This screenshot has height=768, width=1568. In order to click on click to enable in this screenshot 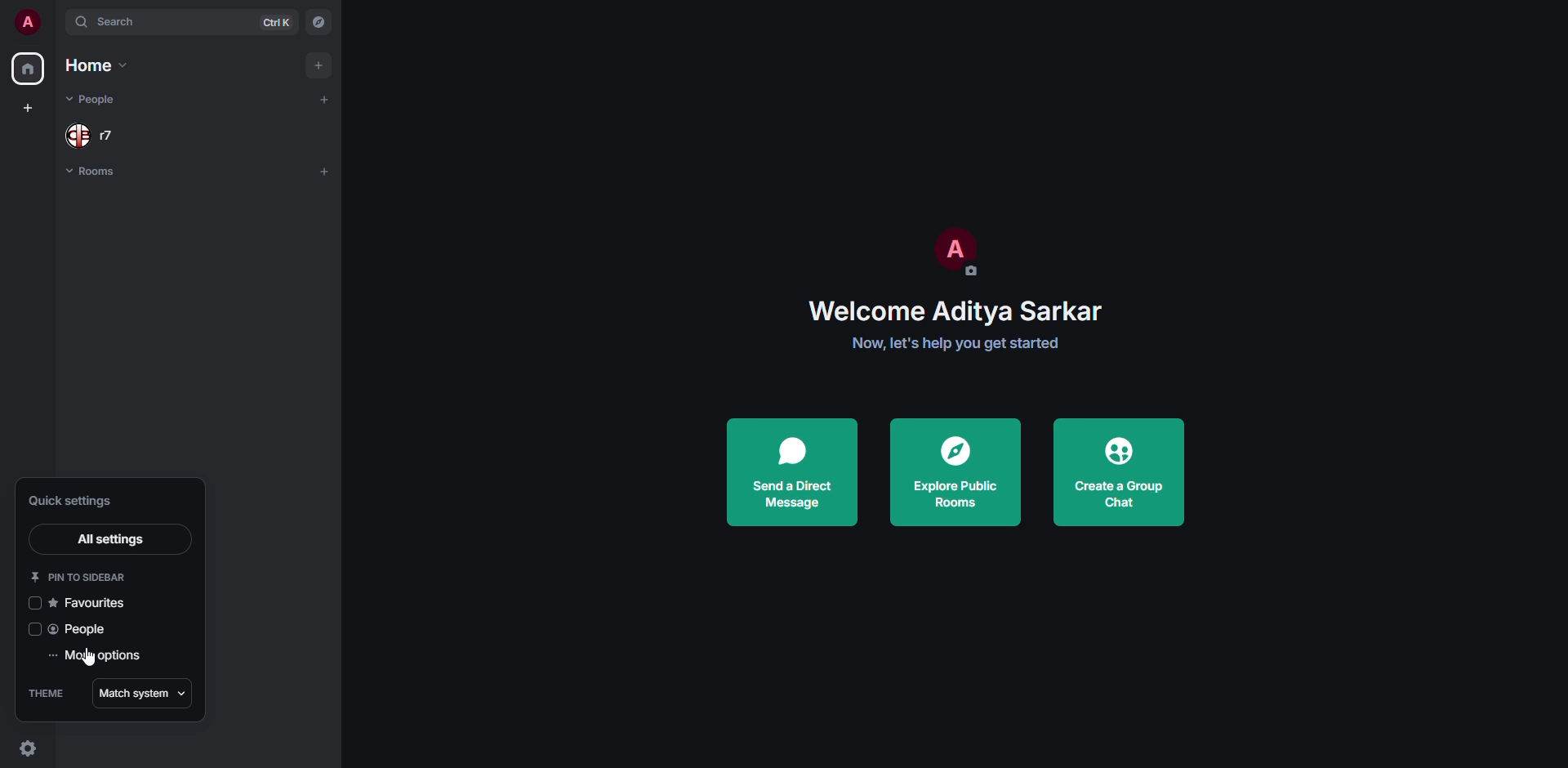, I will do `click(36, 630)`.